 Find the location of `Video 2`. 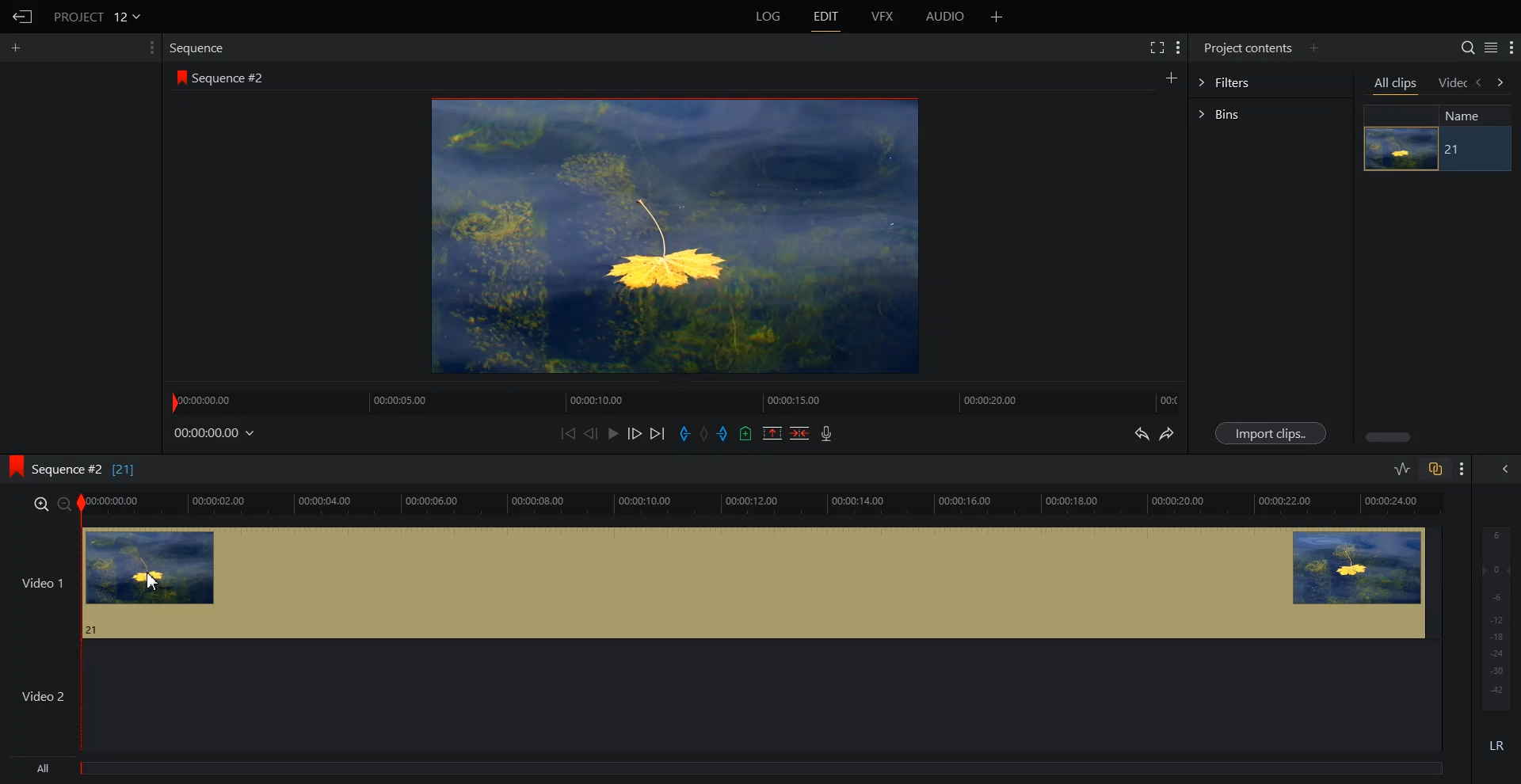

Video 2 is located at coordinates (44, 695).